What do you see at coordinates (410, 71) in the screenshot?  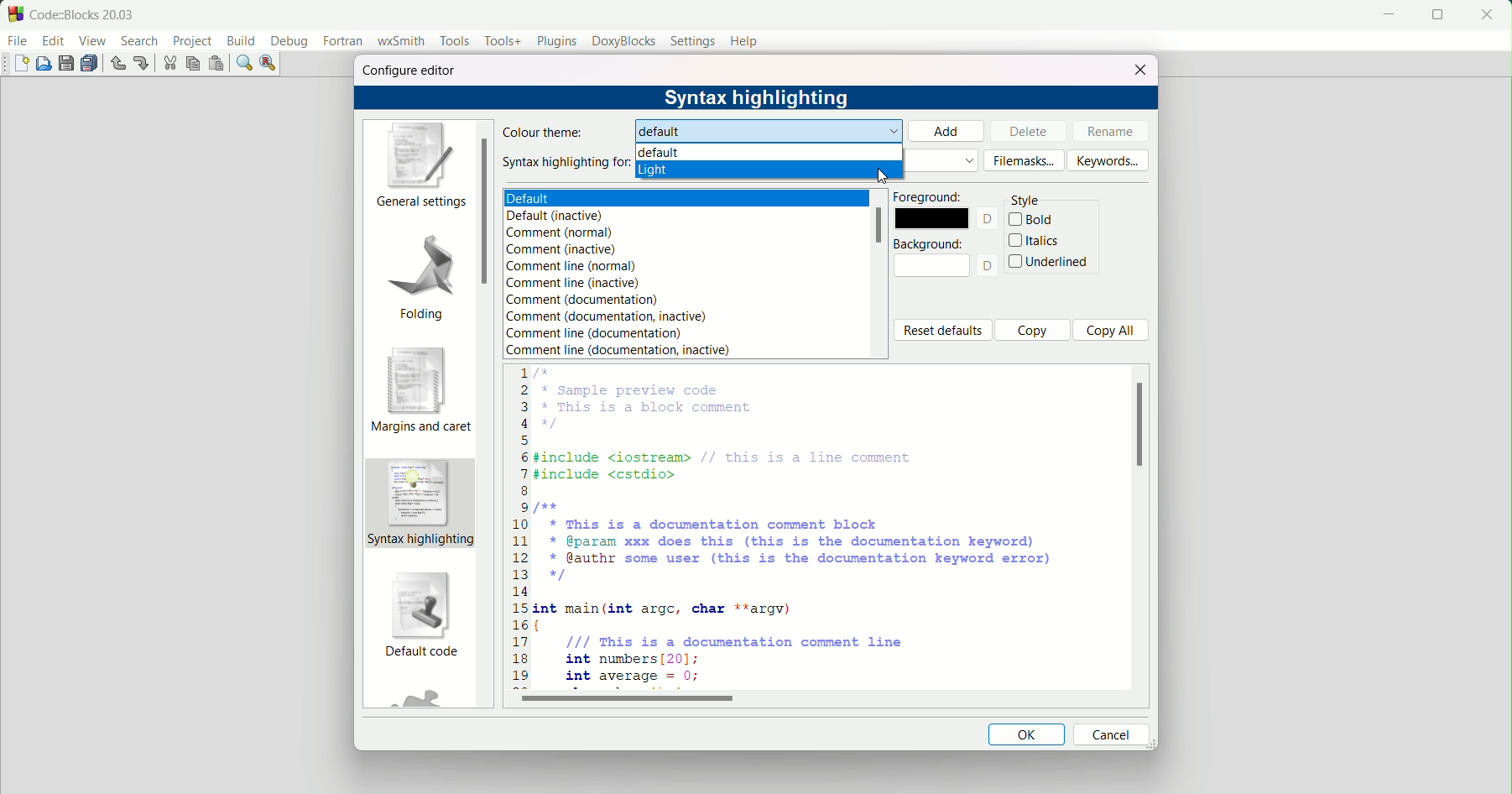 I see `configure editor` at bounding box center [410, 71].